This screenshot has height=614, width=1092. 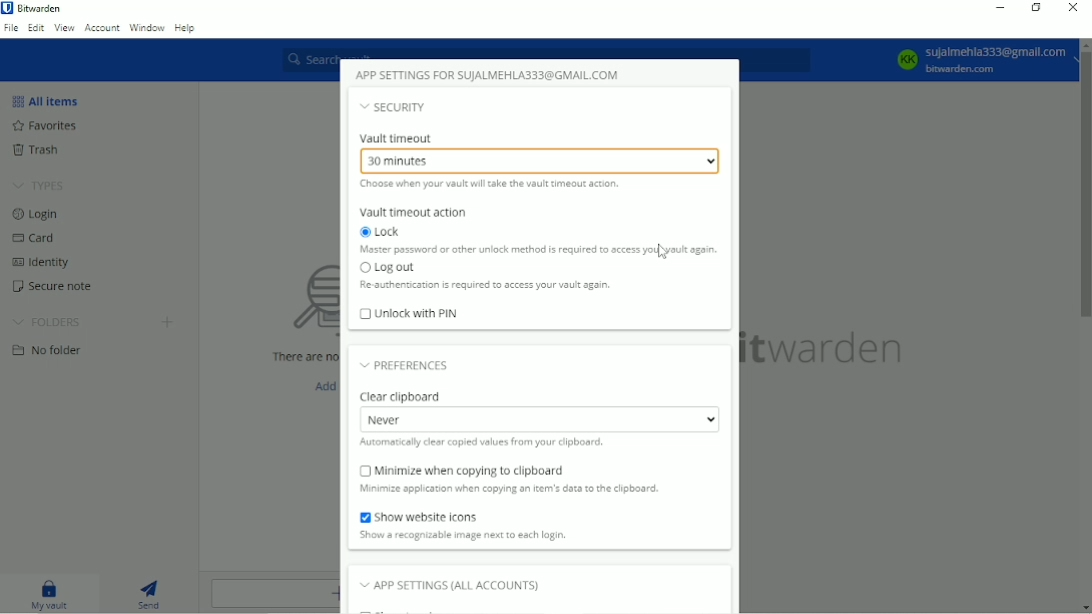 I want to click on Edit, so click(x=36, y=29).